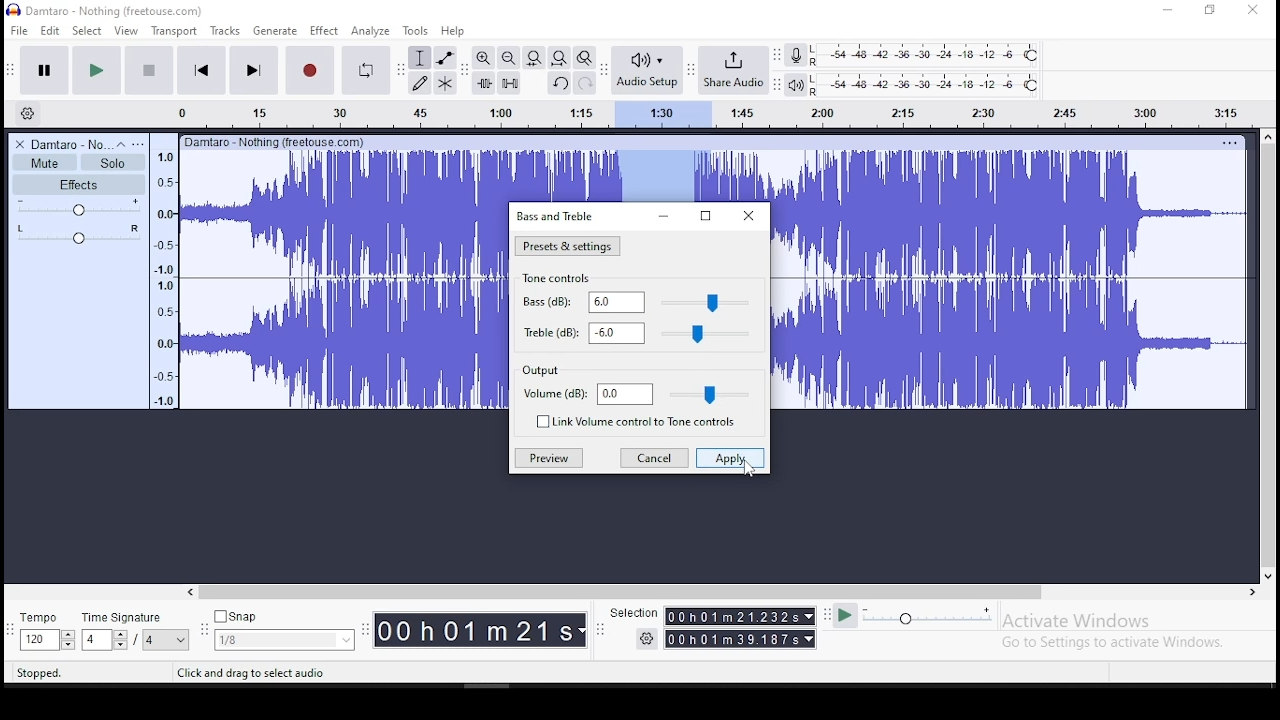  I want to click on track's timing, so click(640, 176).